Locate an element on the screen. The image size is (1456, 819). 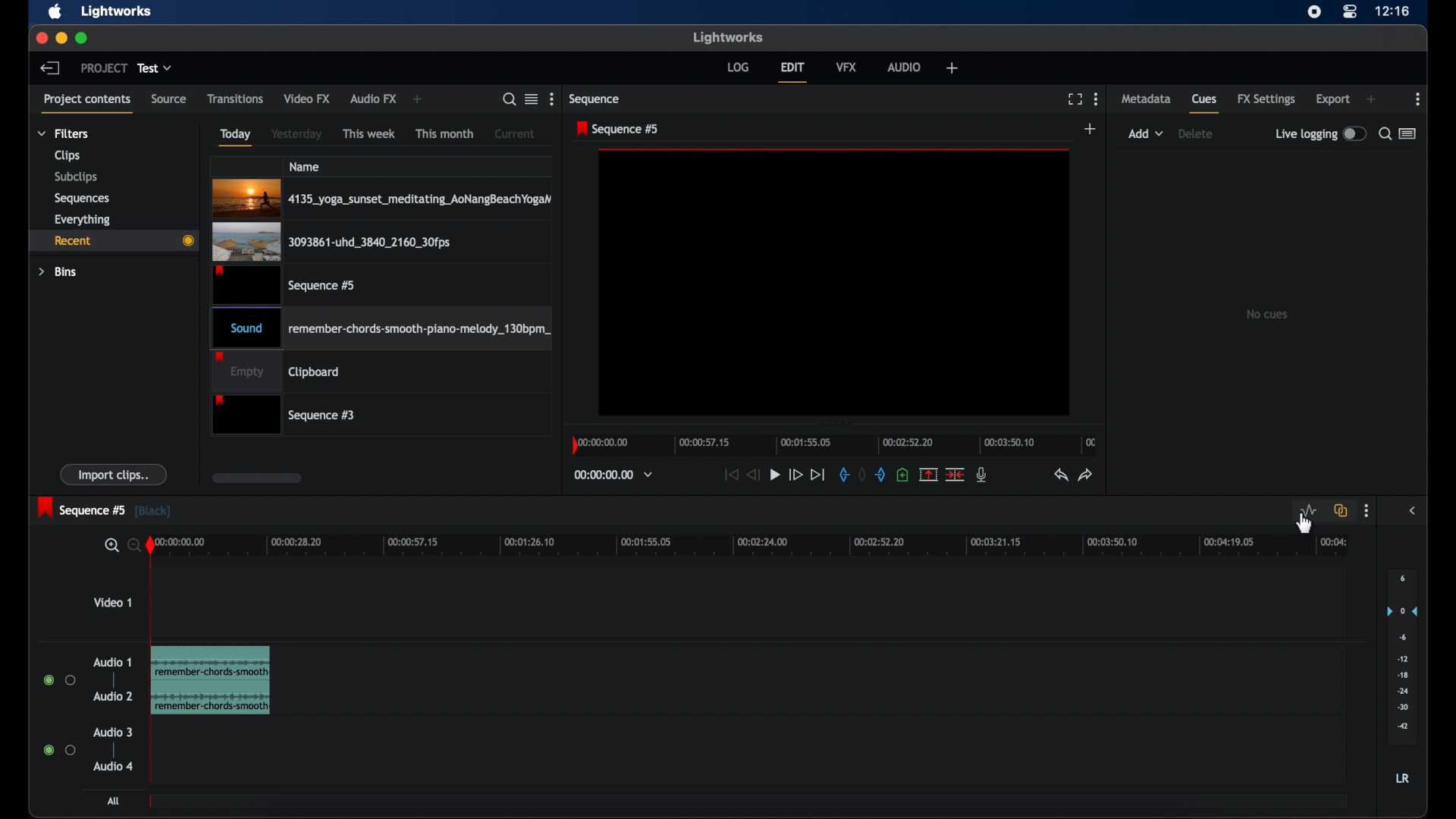
search is located at coordinates (509, 99).